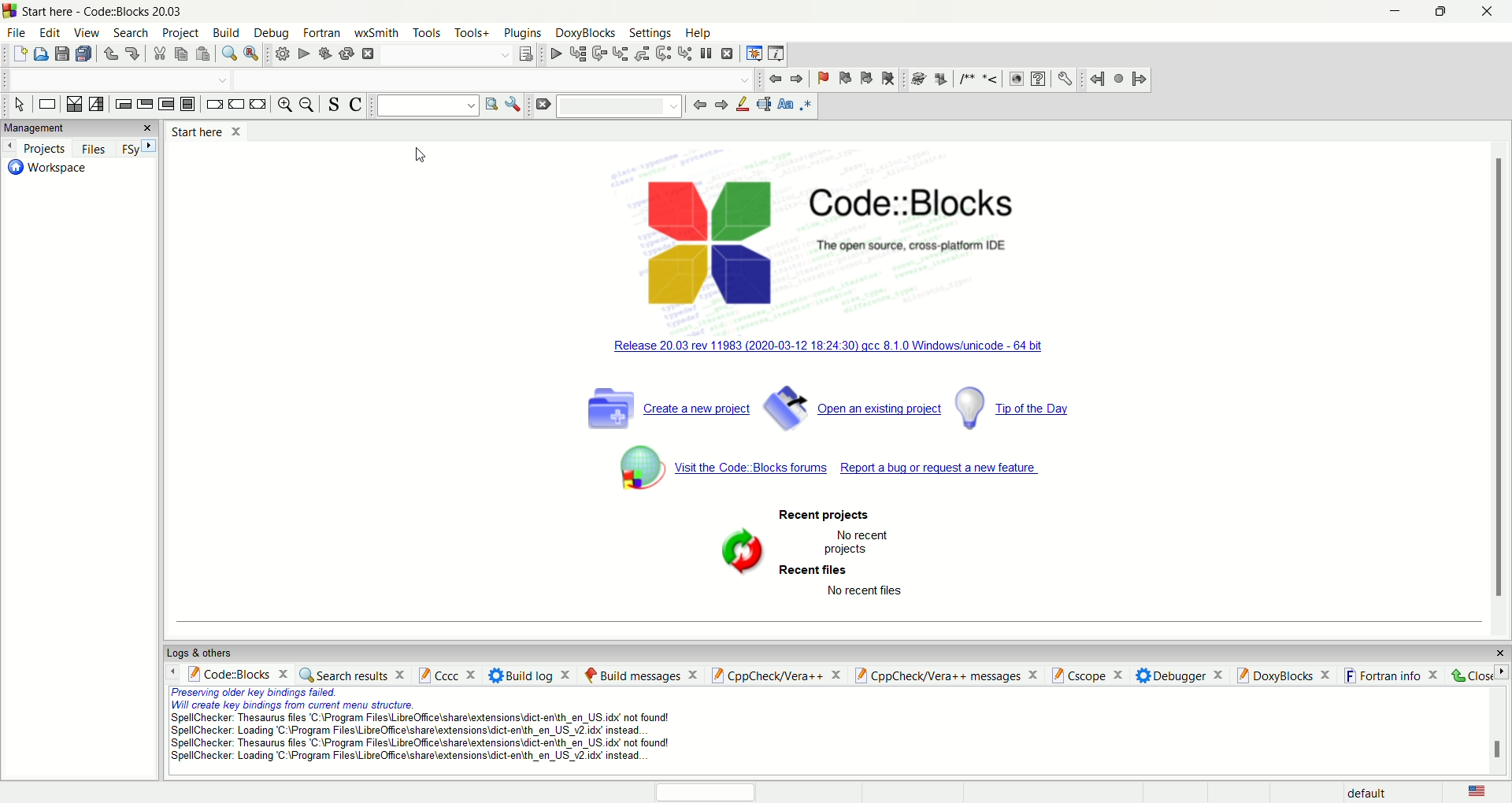 The image size is (1512, 803). Describe the element at coordinates (1095, 80) in the screenshot. I see `jump back` at that location.